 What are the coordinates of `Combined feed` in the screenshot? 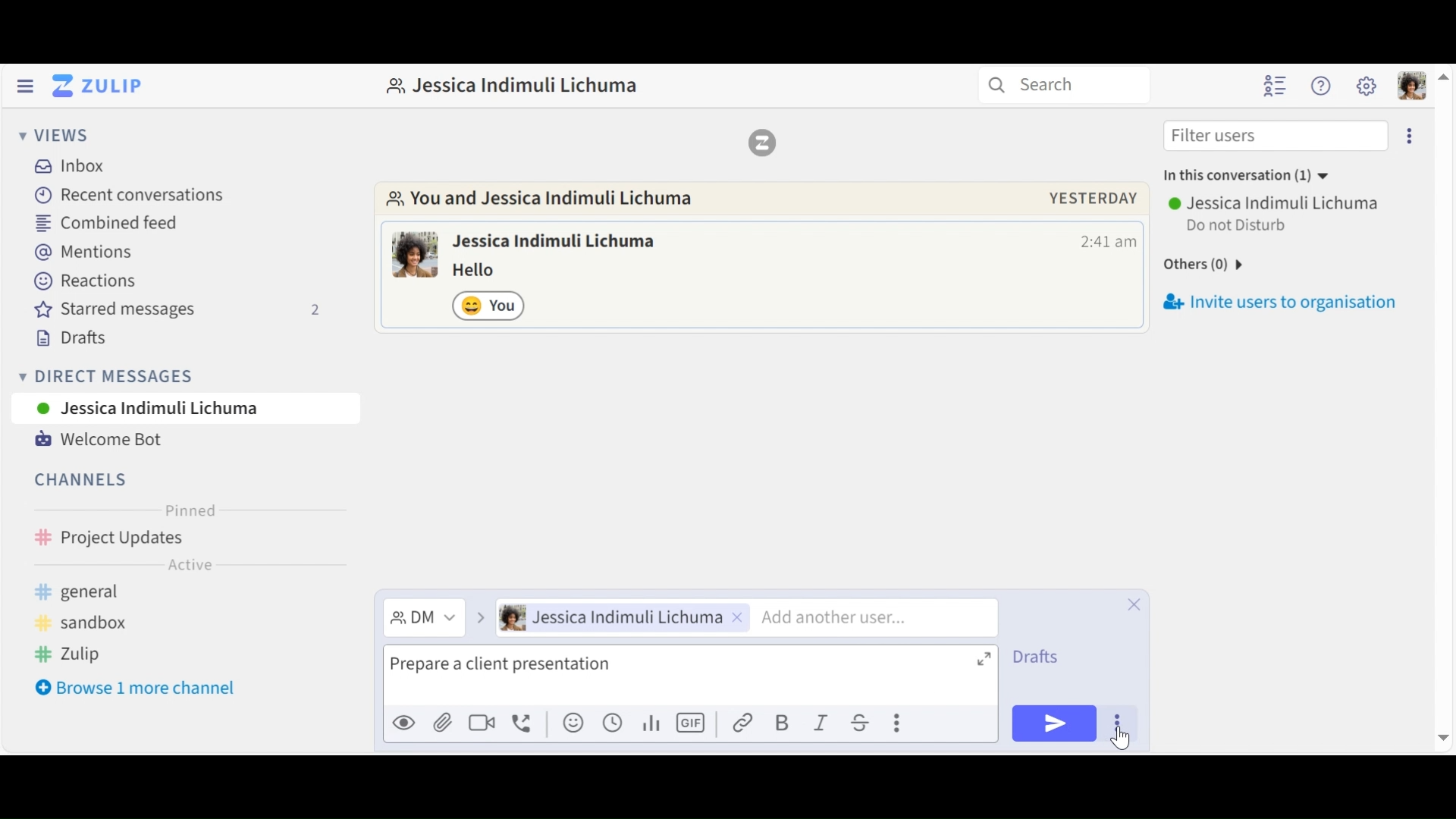 It's located at (110, 222).